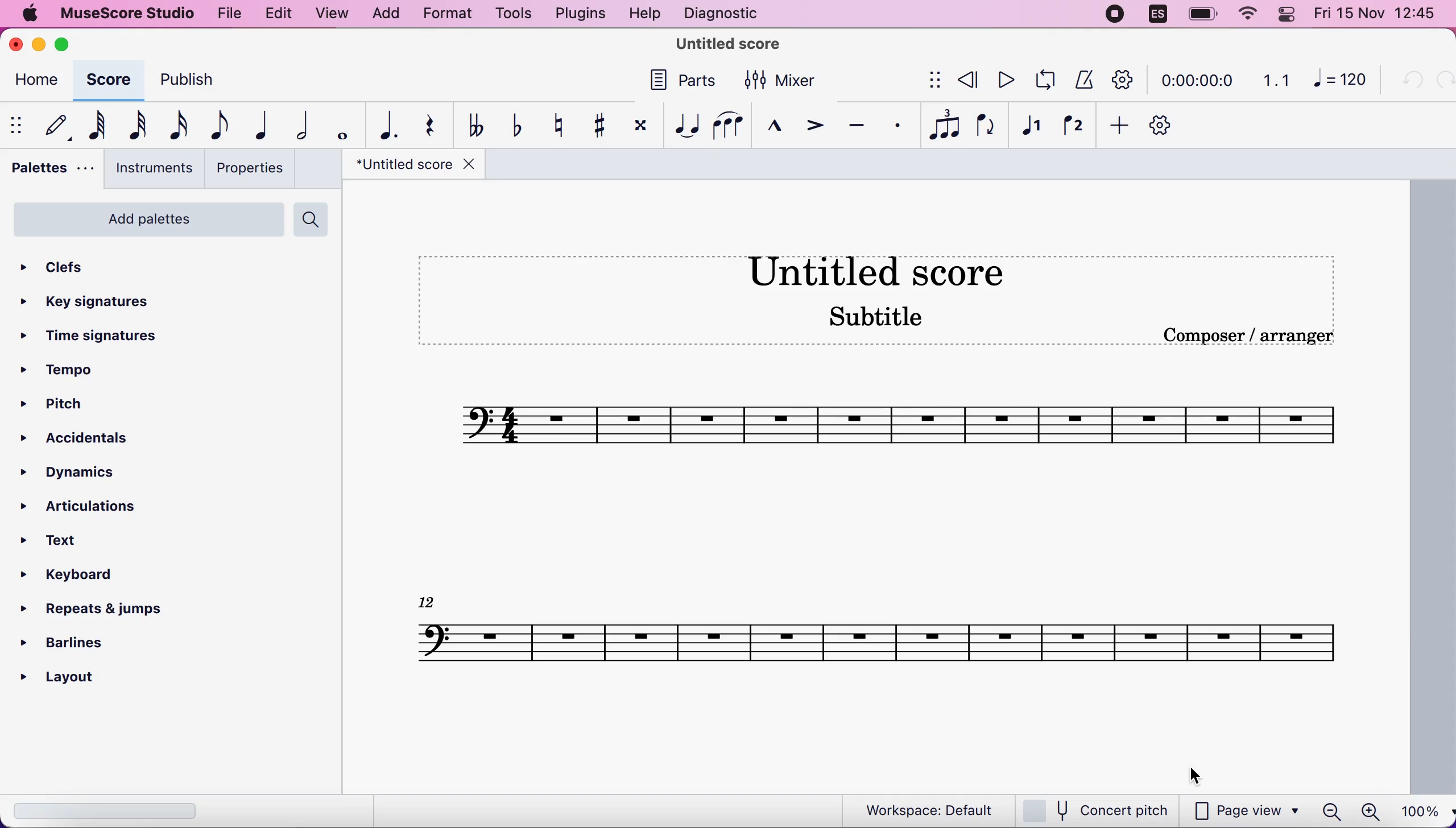  I want to click on toggle sharp, so click(595, 124).